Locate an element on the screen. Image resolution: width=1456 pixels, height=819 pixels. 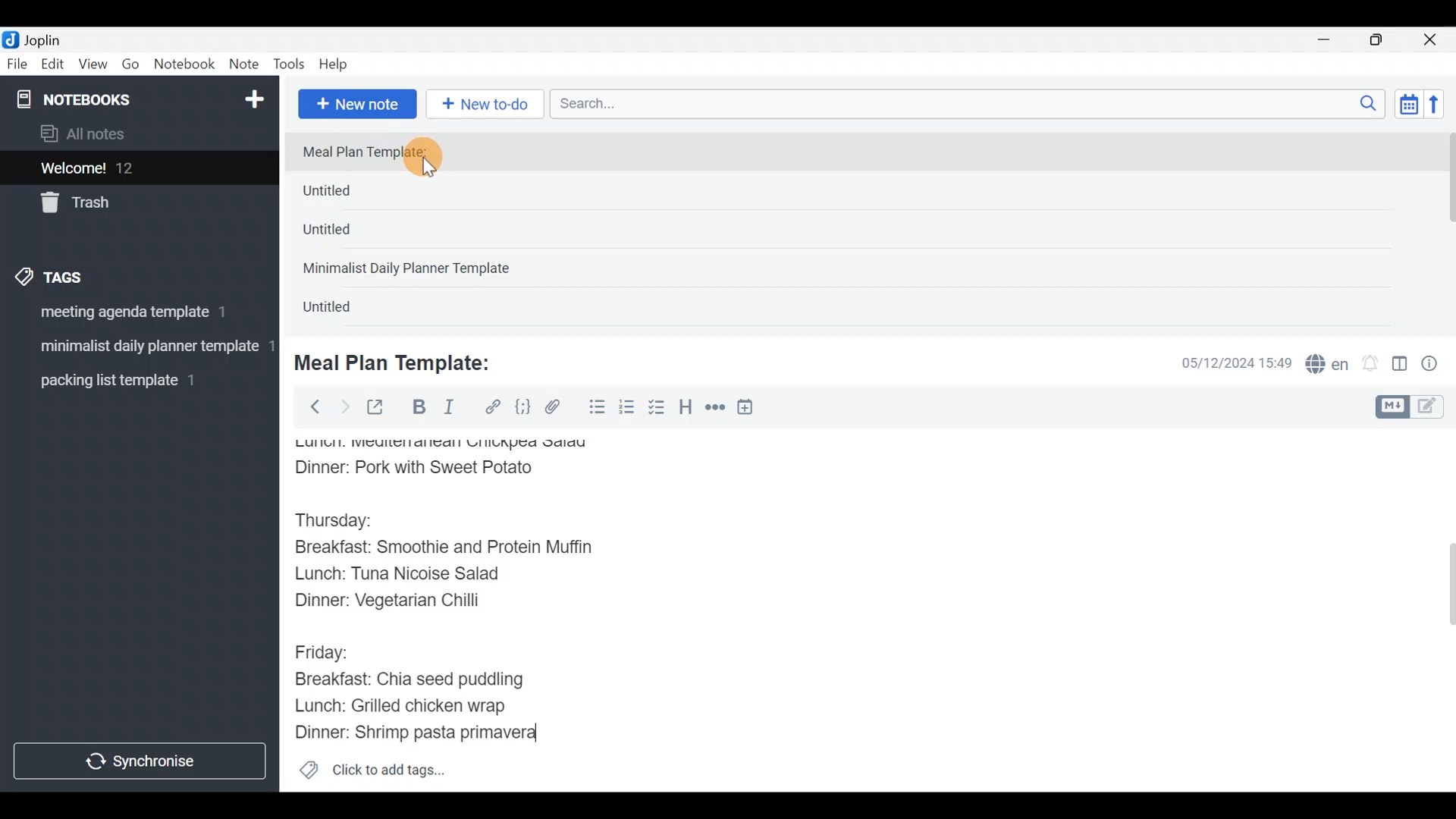
Lunch: Tuna Nicoise Salad is located at coordinates (410, 577).